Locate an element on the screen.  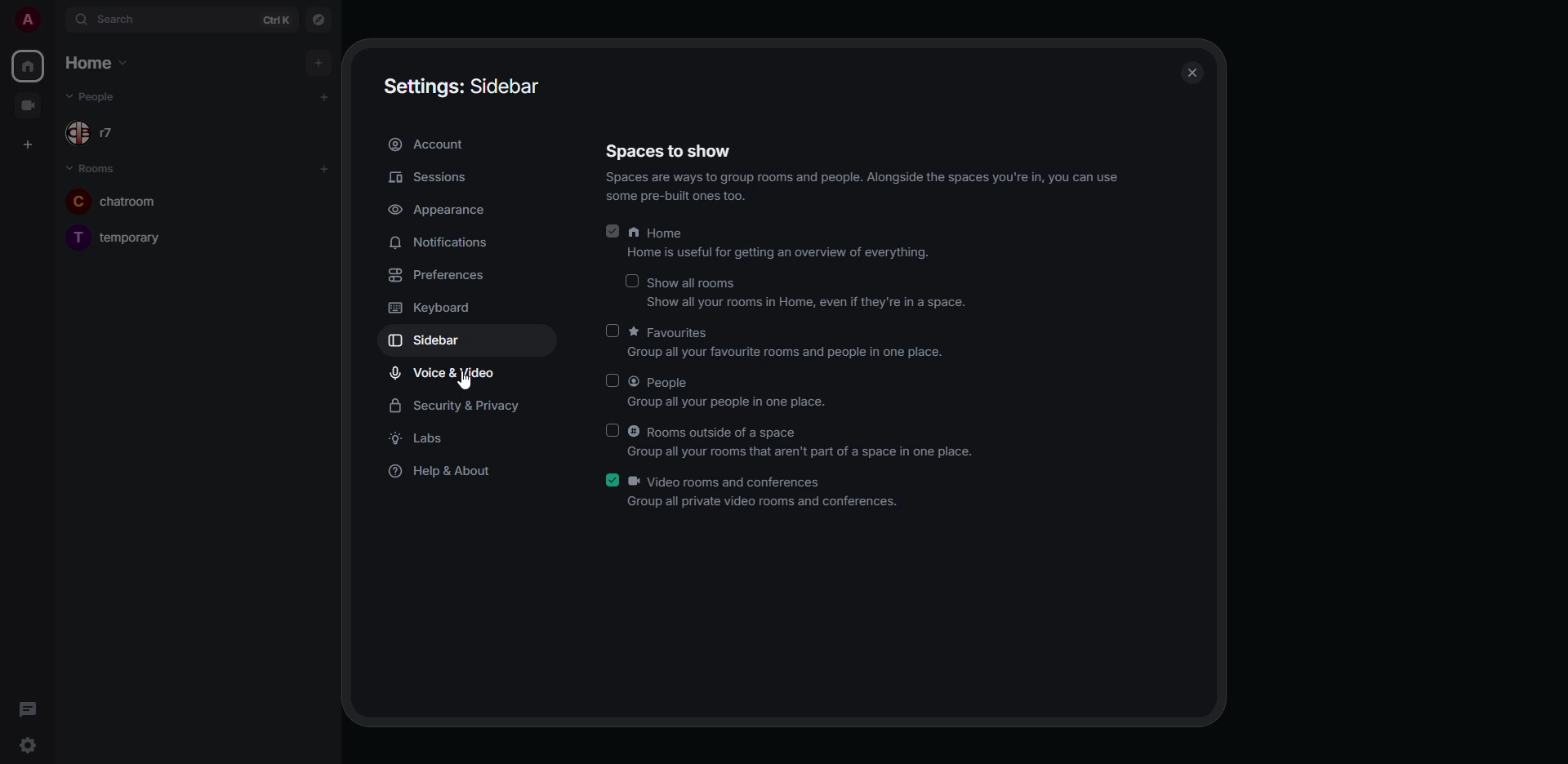
create space is located at coordinates (30, 142).